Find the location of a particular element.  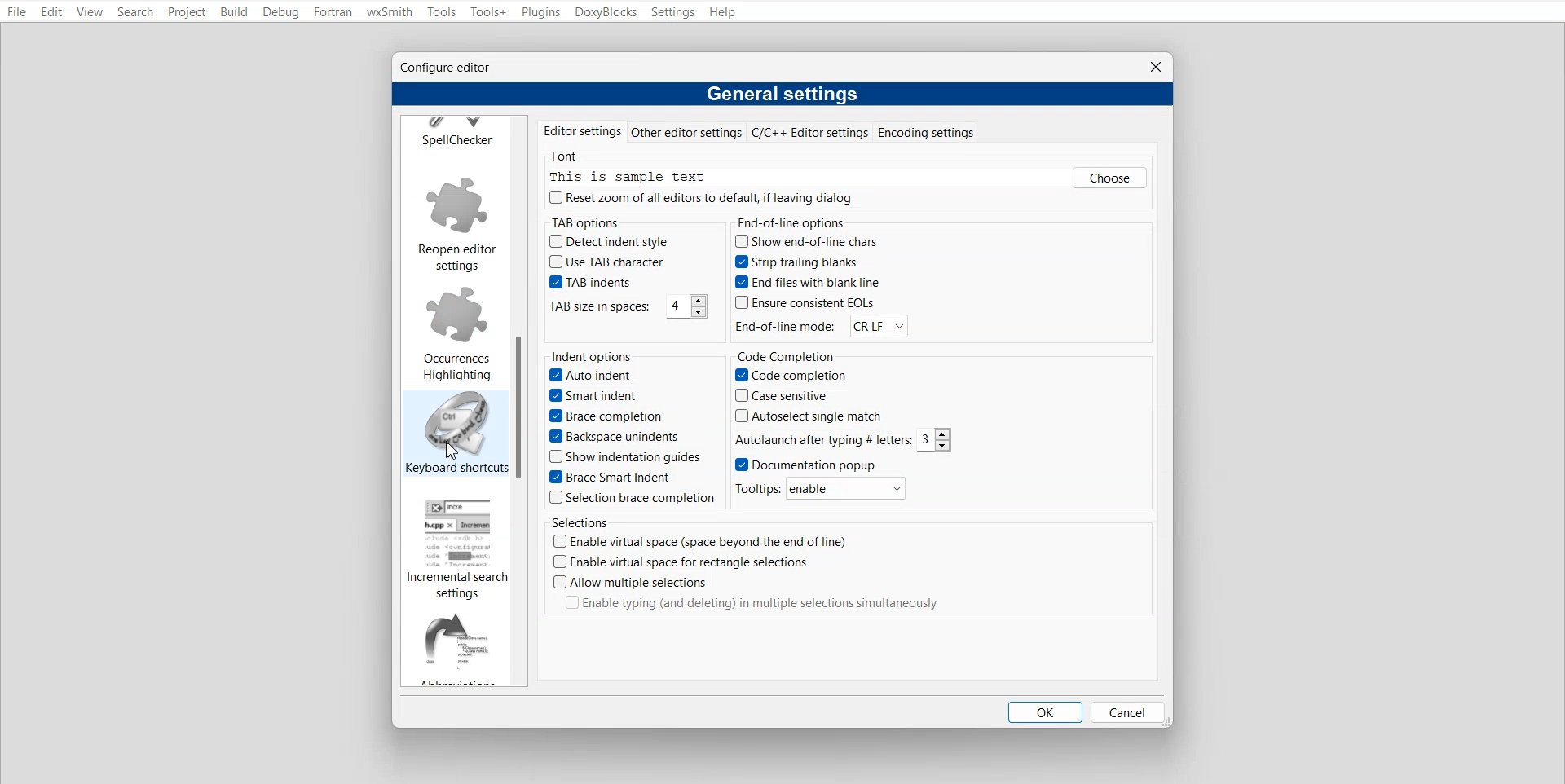

Close is located at coordinates (1154, 67).